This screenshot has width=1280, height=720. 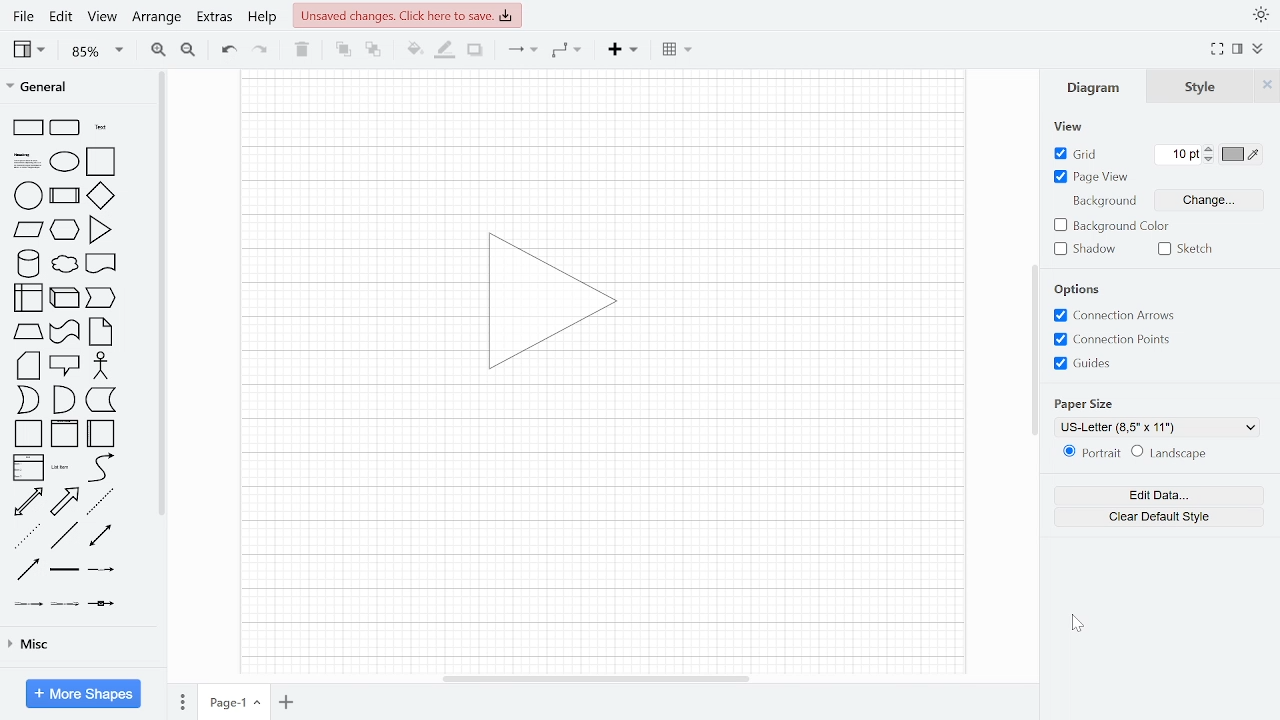 I want to click on Insert, so click(x=680, y=50).